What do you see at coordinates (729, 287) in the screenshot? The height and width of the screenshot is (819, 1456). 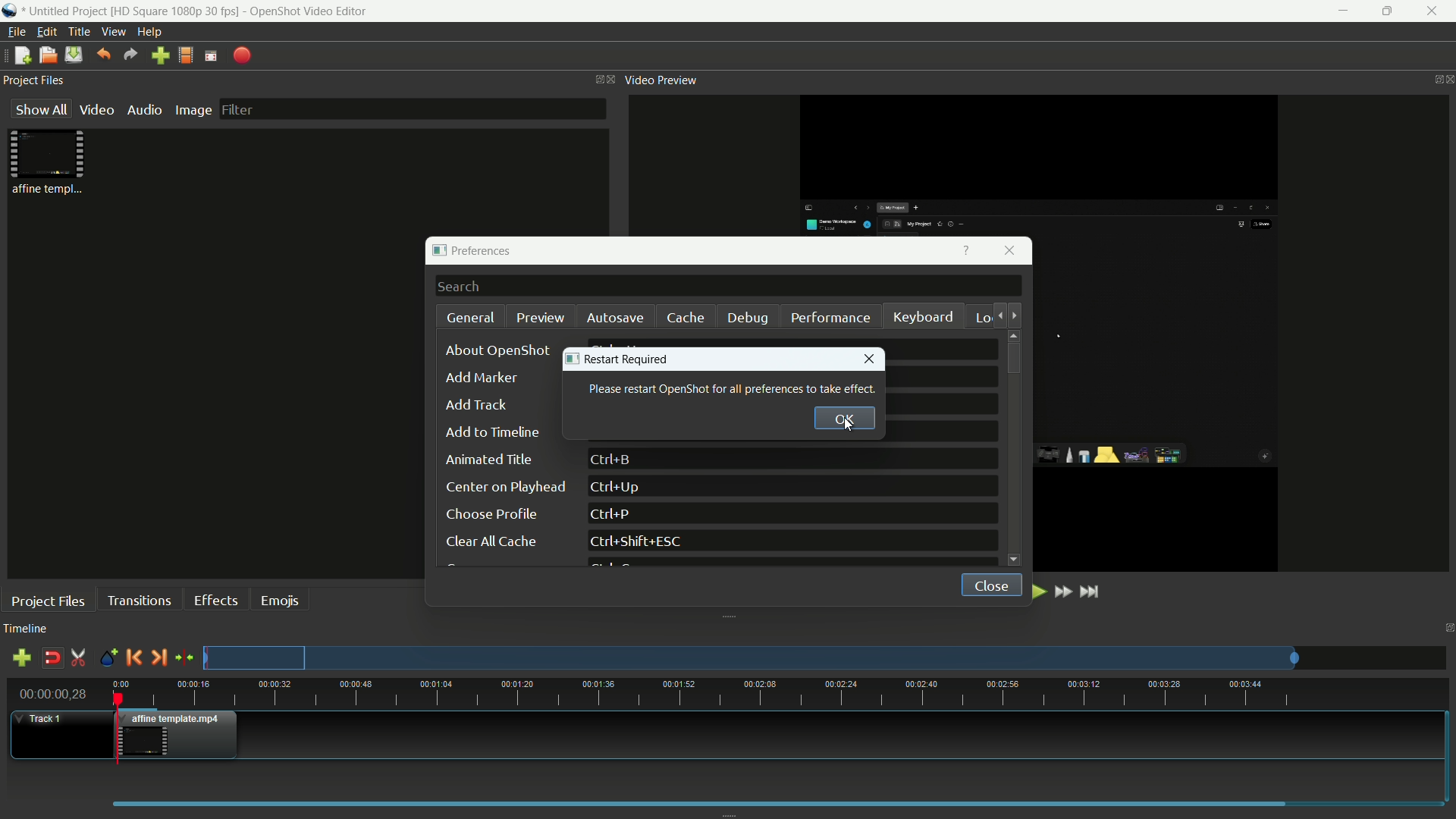 I see `search bar` at bounding box center [729, 287].